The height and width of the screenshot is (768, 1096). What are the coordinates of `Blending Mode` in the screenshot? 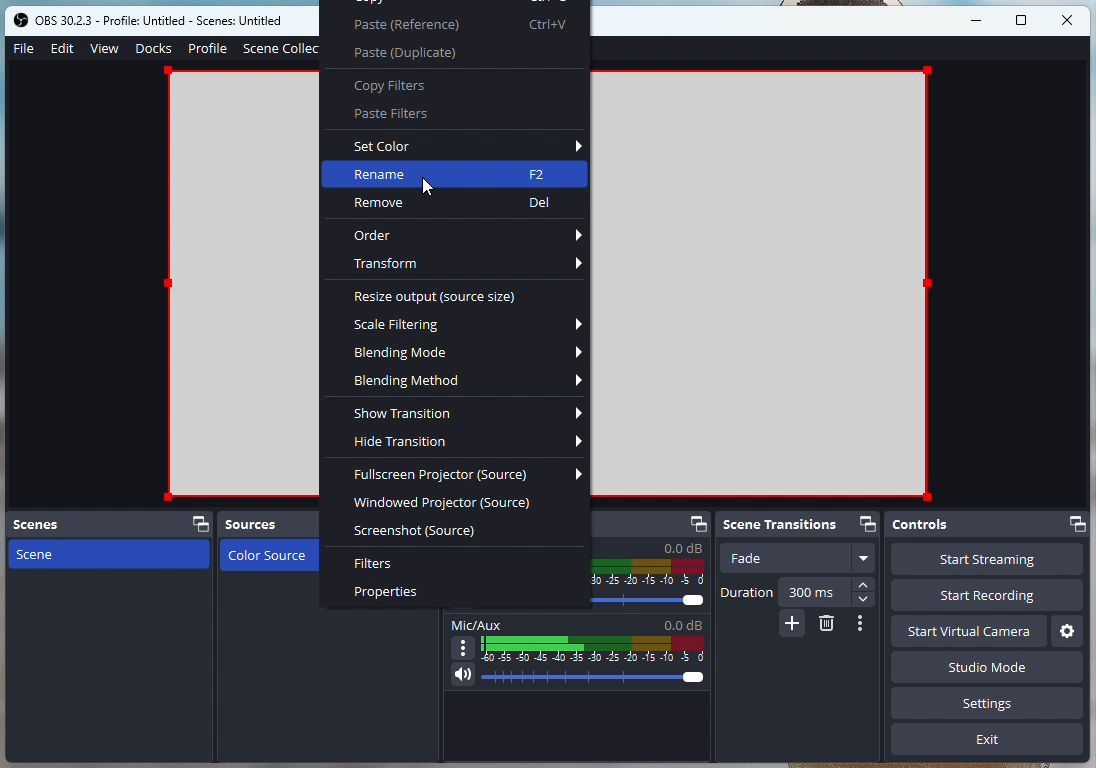 It's located at (470, 354).